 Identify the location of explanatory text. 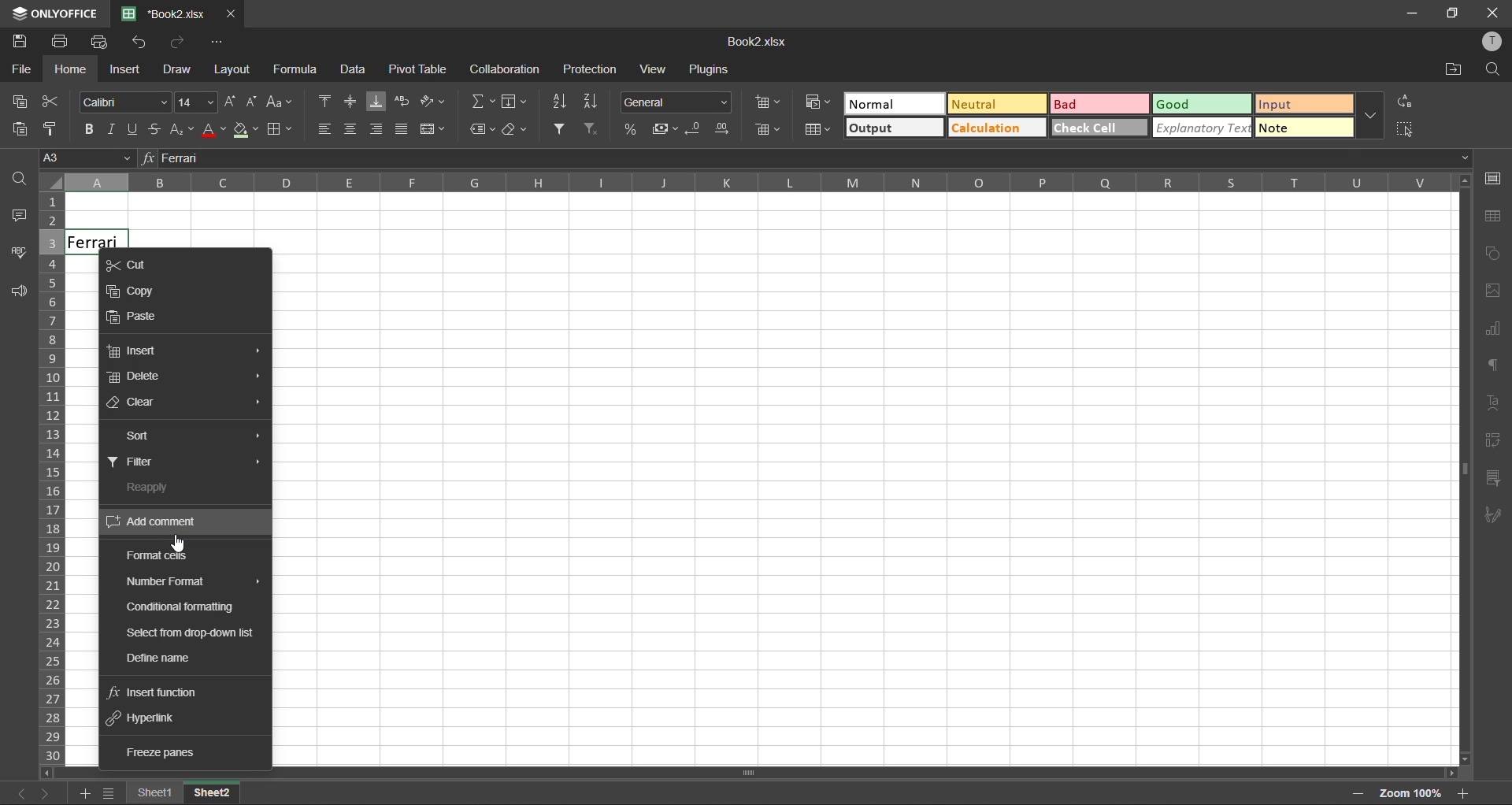
(1203, 128).